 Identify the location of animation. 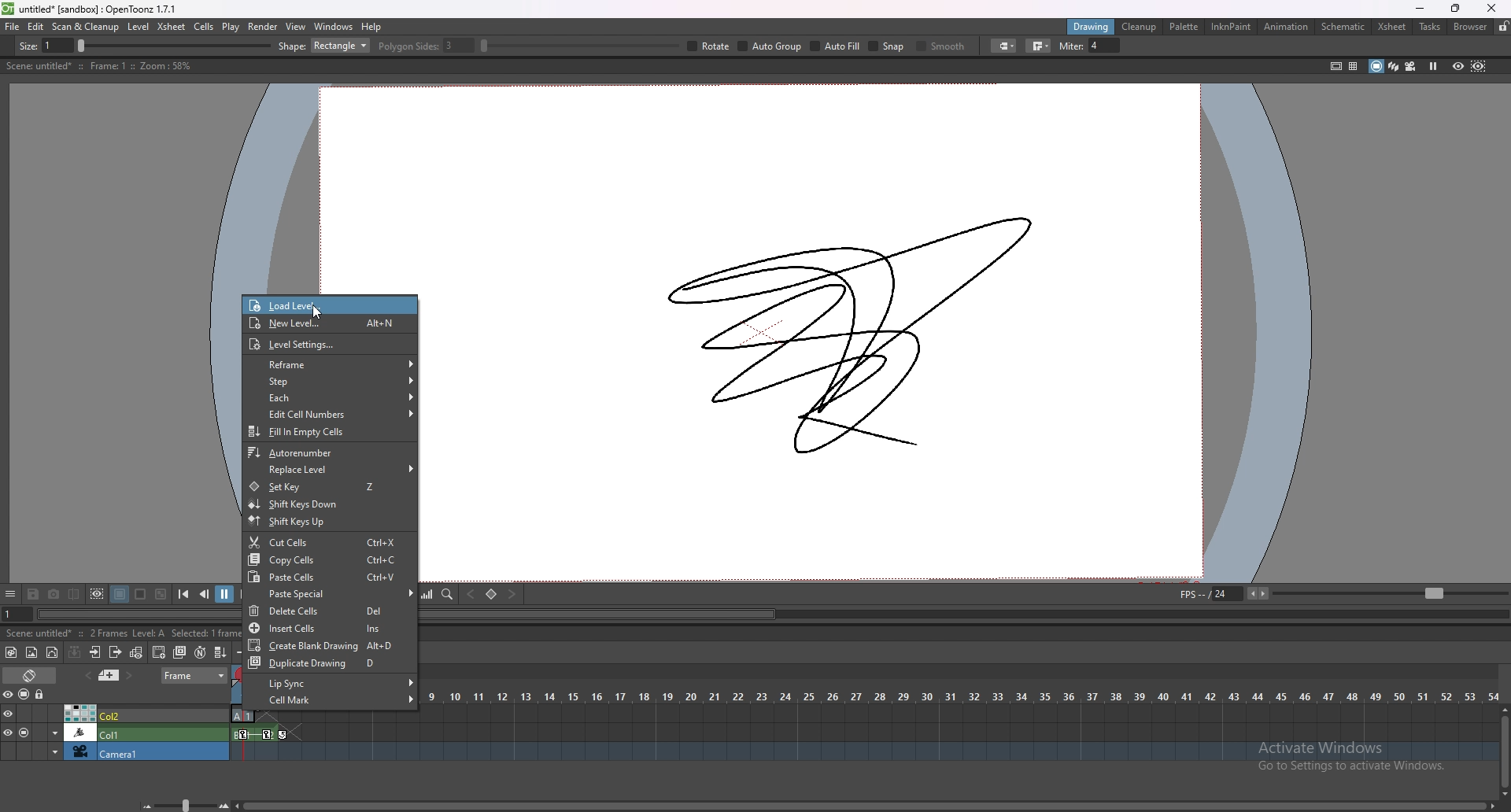
(1287, 27).